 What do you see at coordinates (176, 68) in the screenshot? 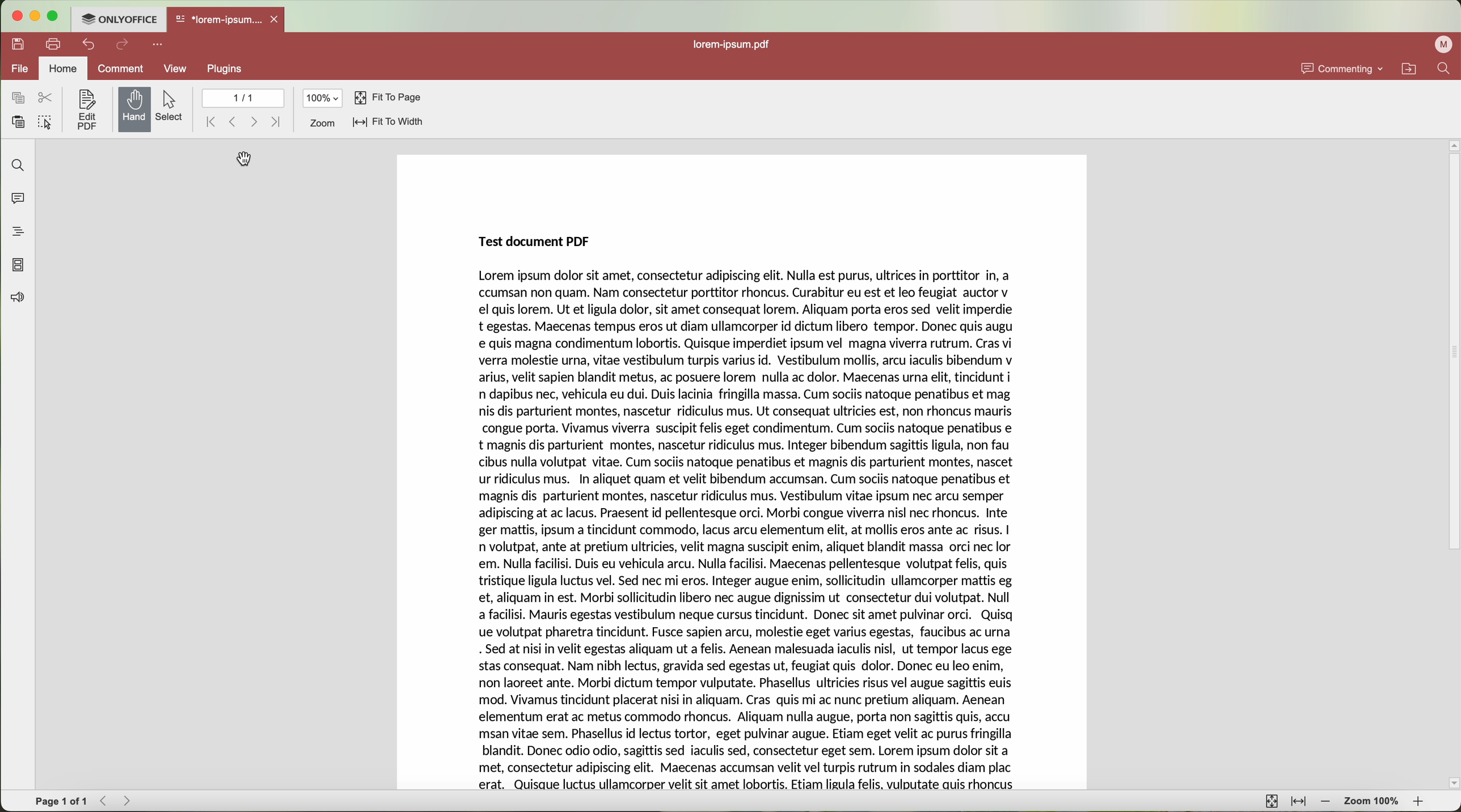
I see `view` at bounding box center [176, 68].